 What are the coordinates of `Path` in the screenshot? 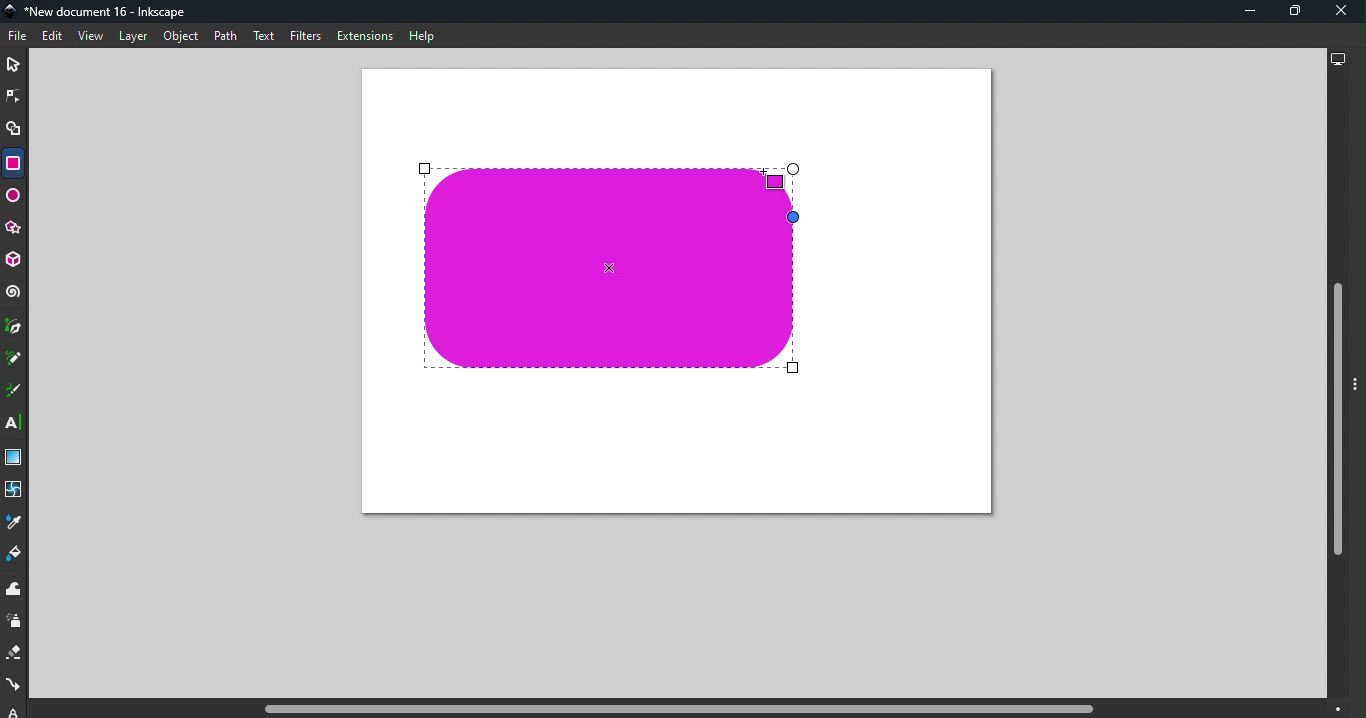 It's located at (225, 38).